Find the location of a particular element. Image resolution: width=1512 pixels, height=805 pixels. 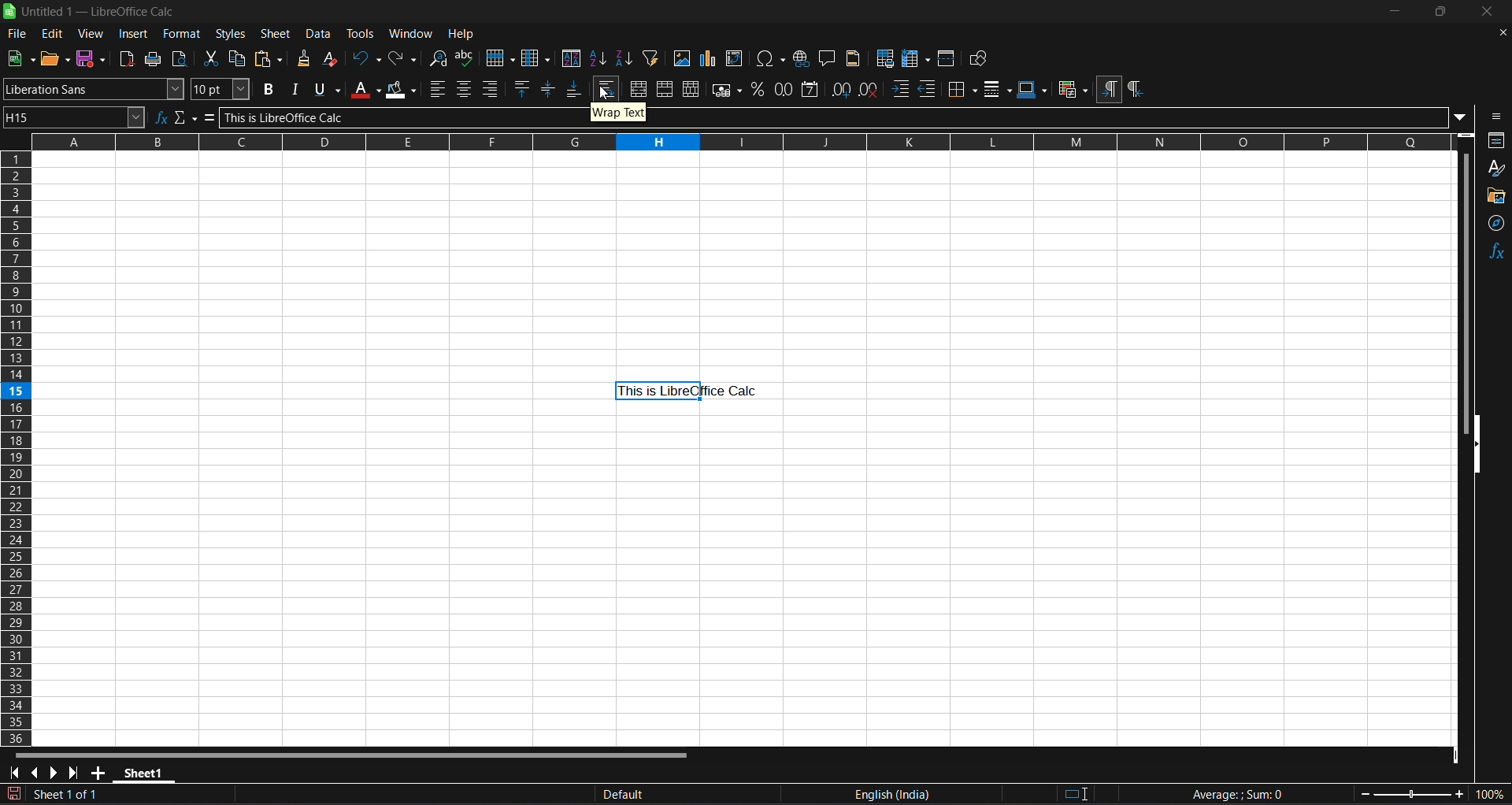

decrease indent is located at coordinates (928, 88).